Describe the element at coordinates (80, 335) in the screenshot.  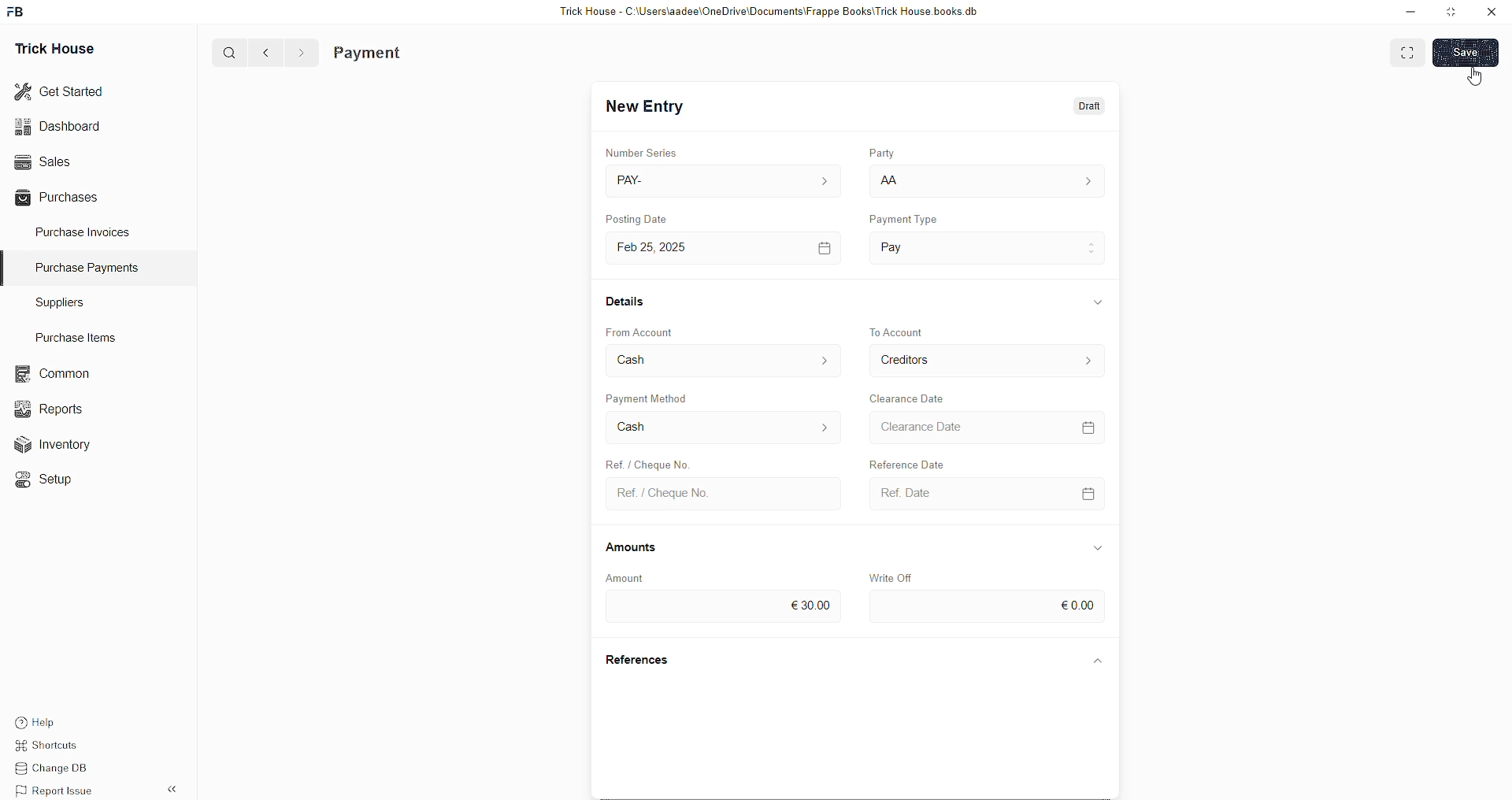
I see `Purchase Items` at that location.